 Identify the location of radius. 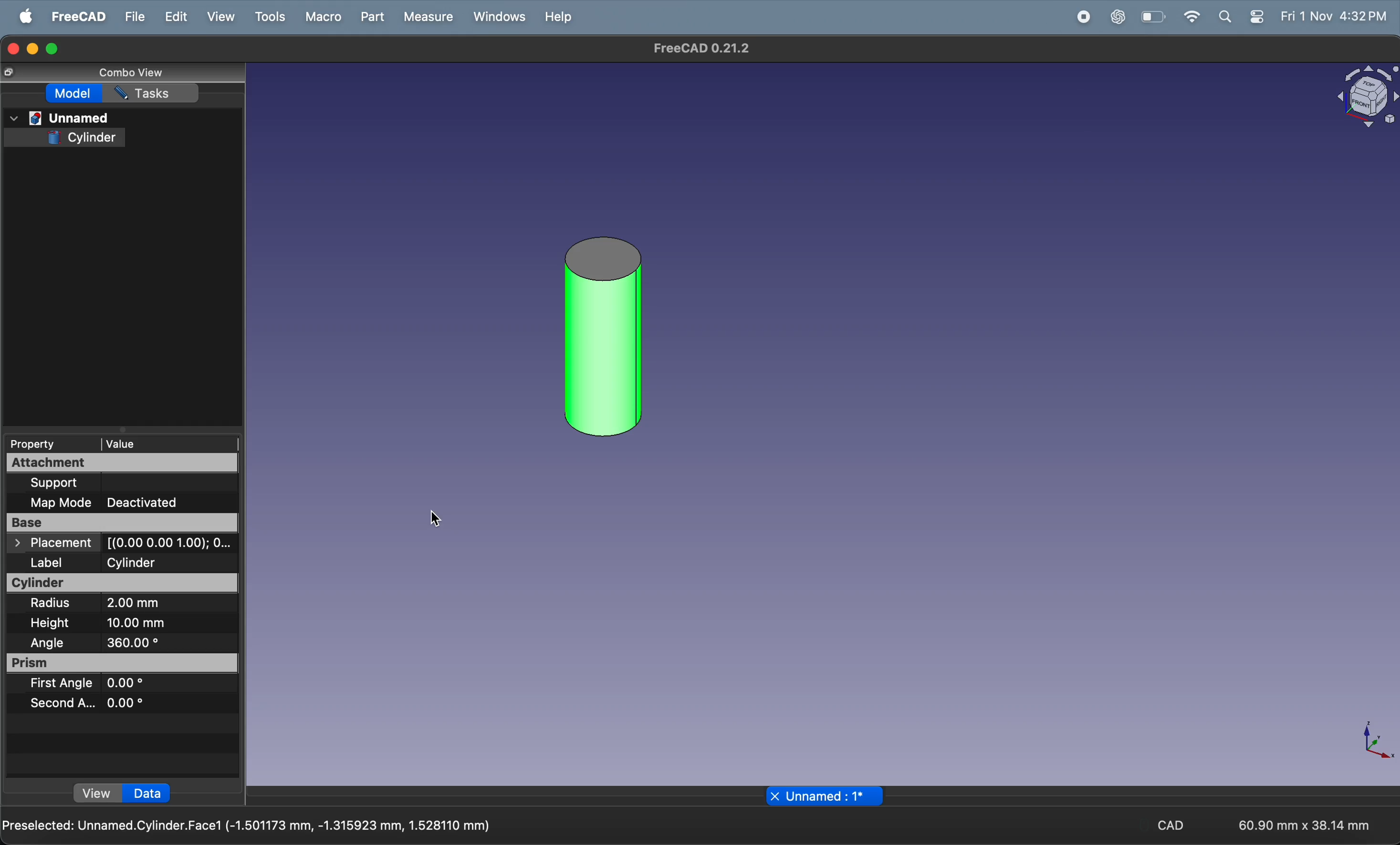
(56, 604).